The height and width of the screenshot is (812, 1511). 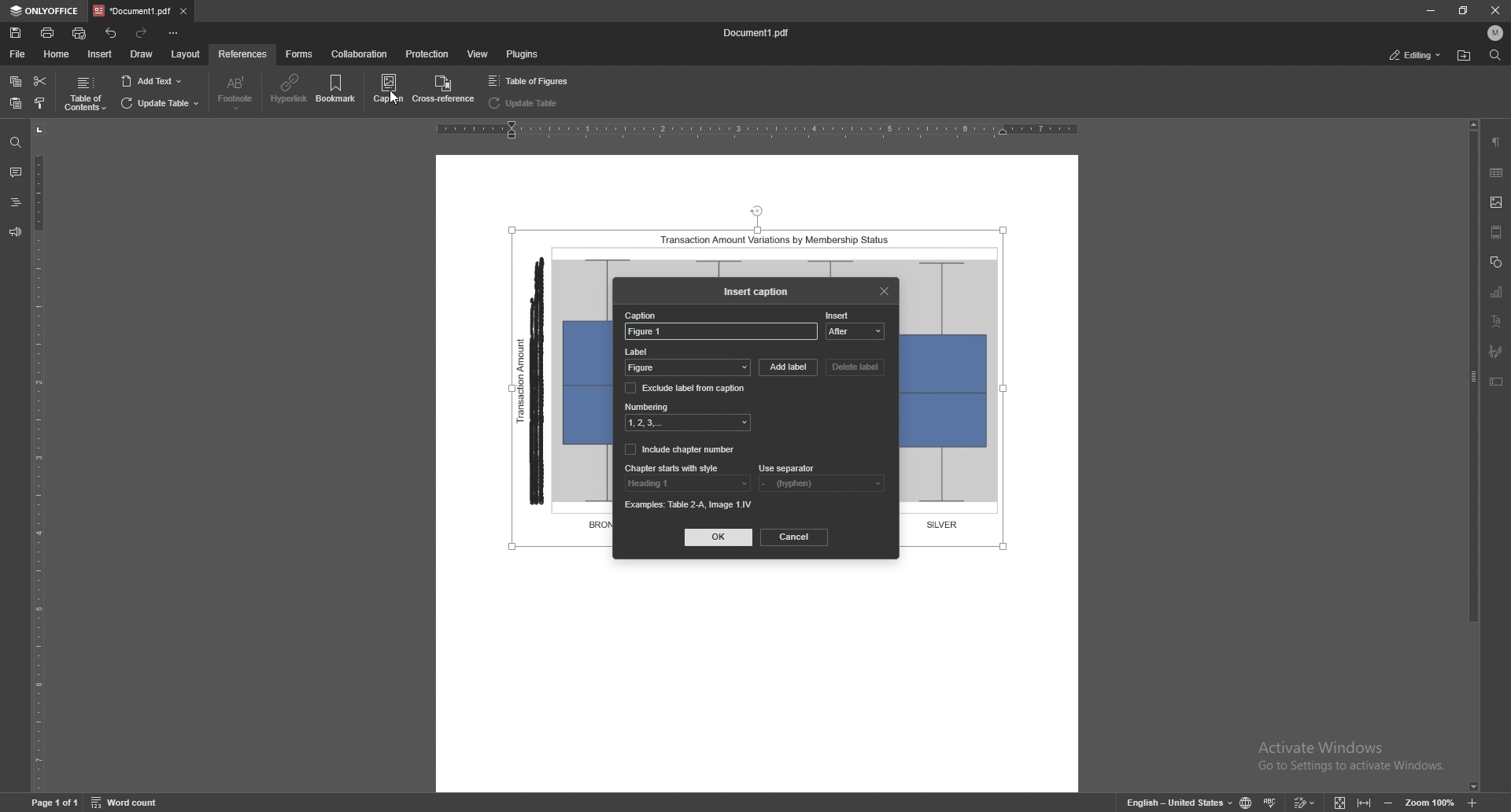 I want to click on caption, so click(x=387, y=90).